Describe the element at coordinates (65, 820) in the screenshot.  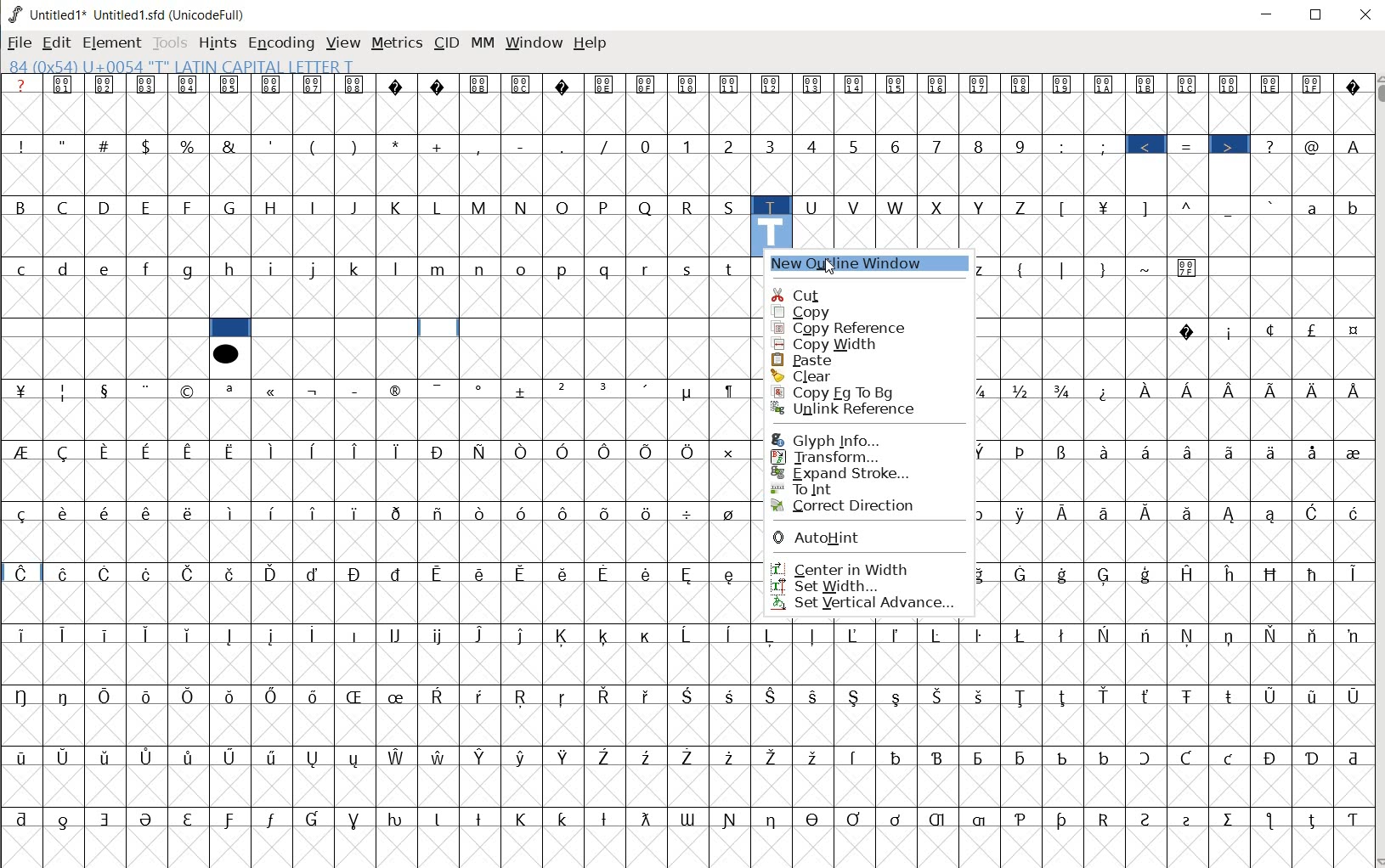
I see `Symbol` at that location.